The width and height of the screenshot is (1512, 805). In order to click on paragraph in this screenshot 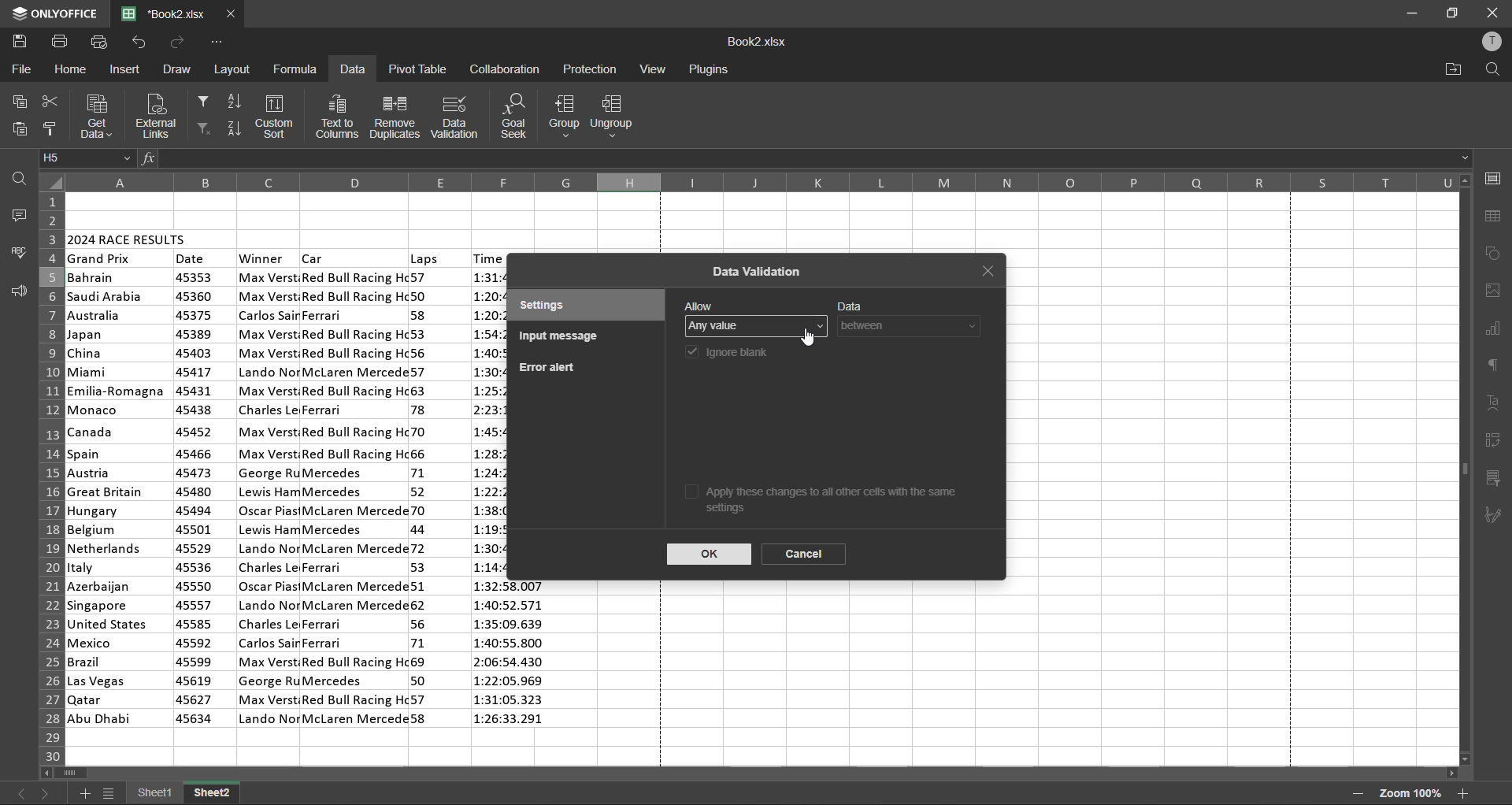, I will do `click(1497, 364)`.